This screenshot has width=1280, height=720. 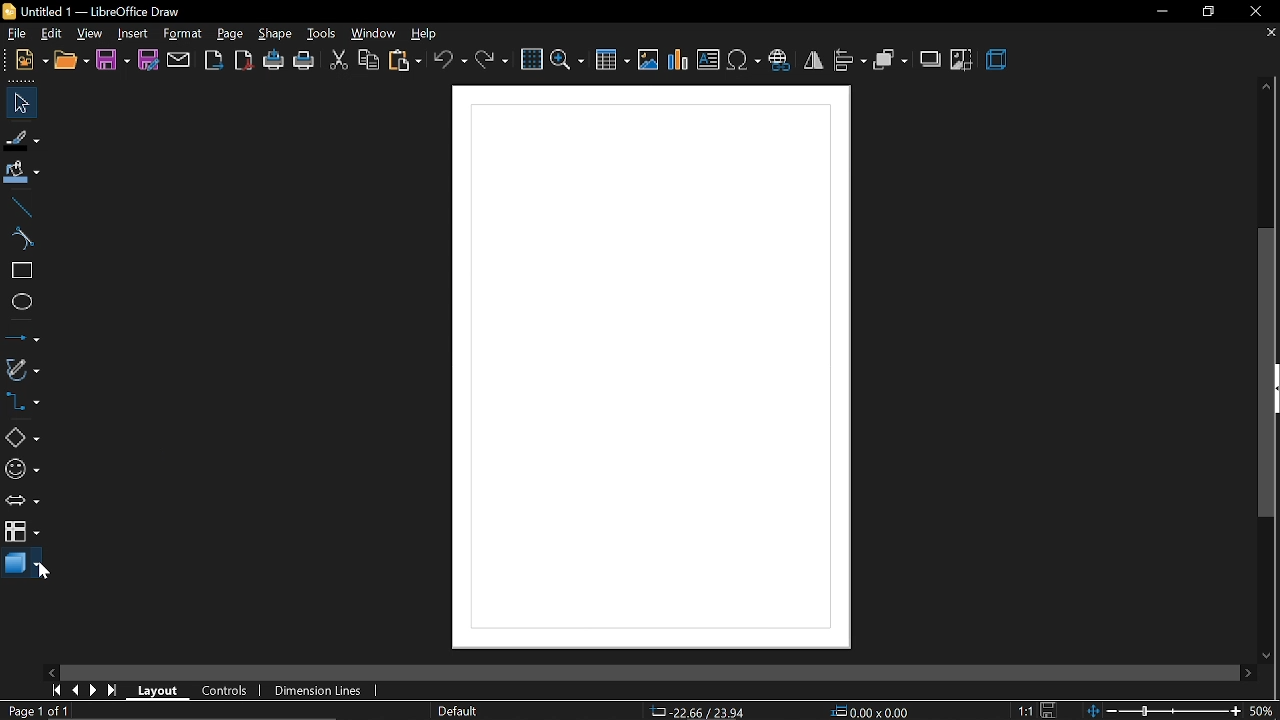 I want to click on select, so click(x=18, y=102).